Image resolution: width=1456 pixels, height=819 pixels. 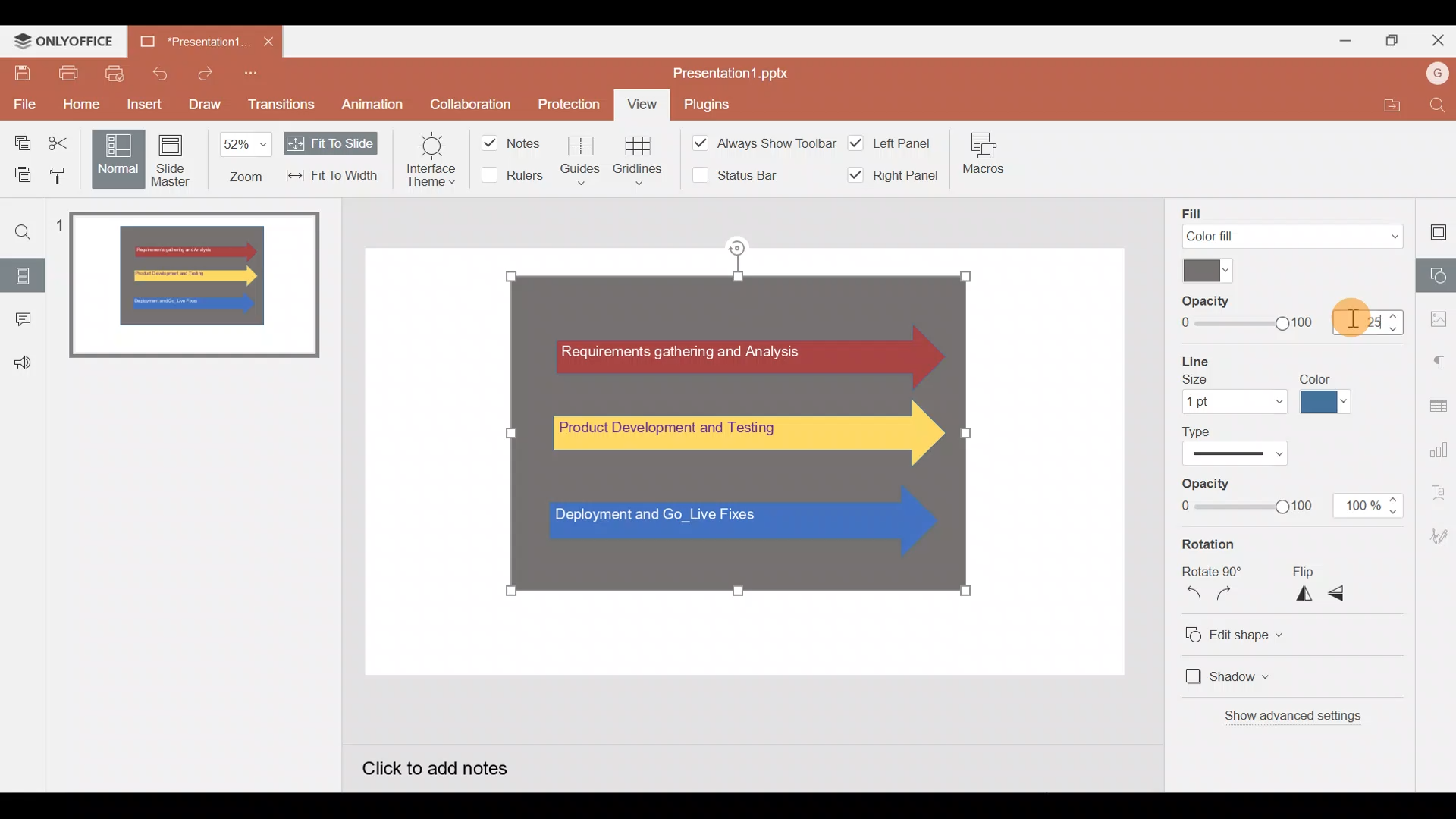 What do you see at coordinates (24, 357) in the screenshot?
I see `Feedback & support` at bounding box center [24, 357].